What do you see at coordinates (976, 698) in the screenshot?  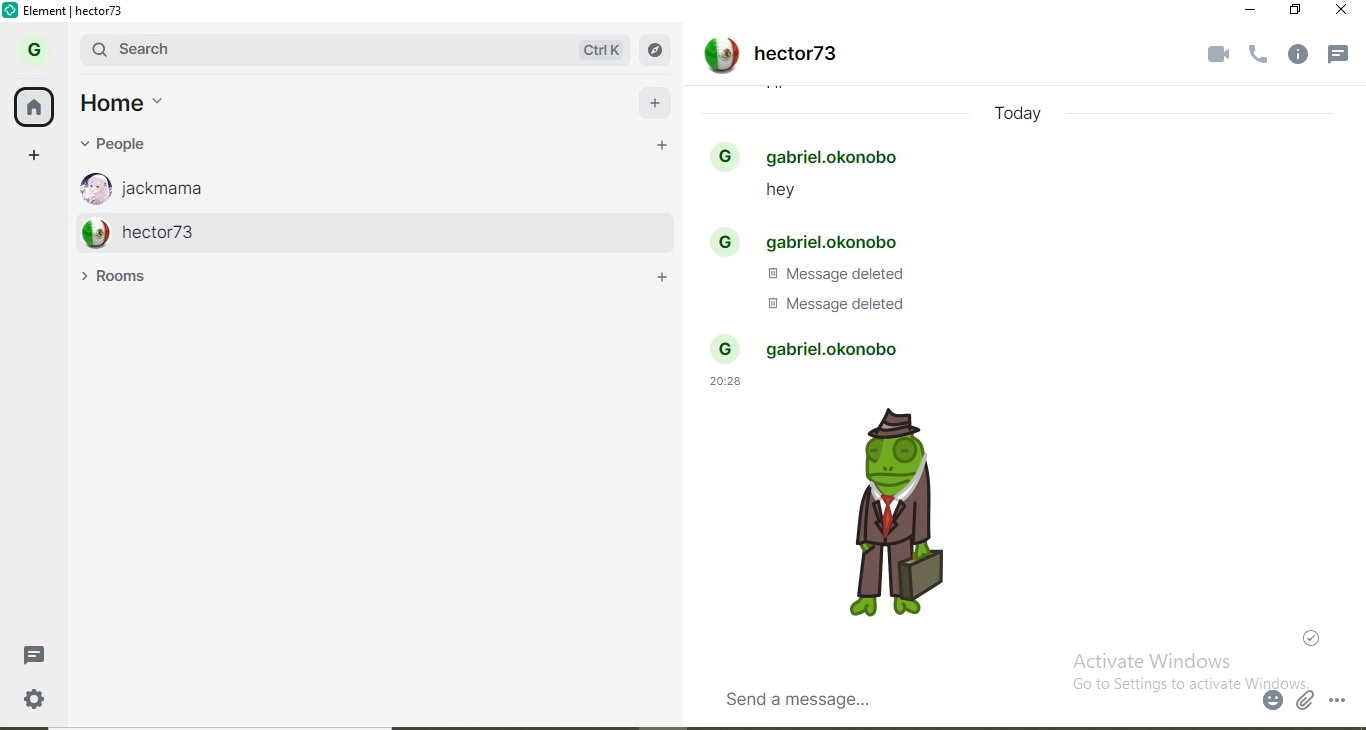 I see `chatbox` at bounding box center [976, 698].